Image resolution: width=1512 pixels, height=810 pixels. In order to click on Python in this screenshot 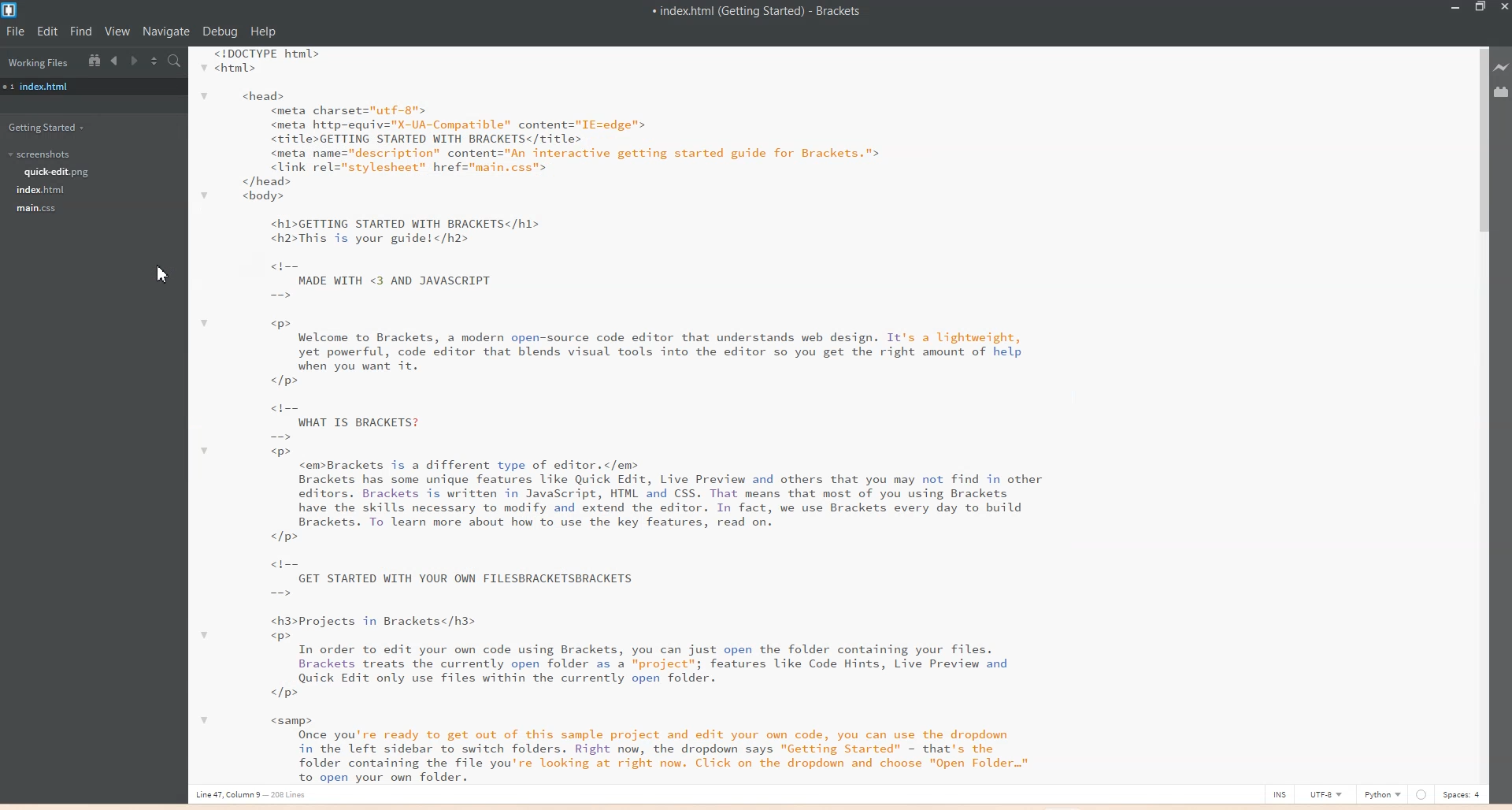, I will do `click(1384, 794)`.